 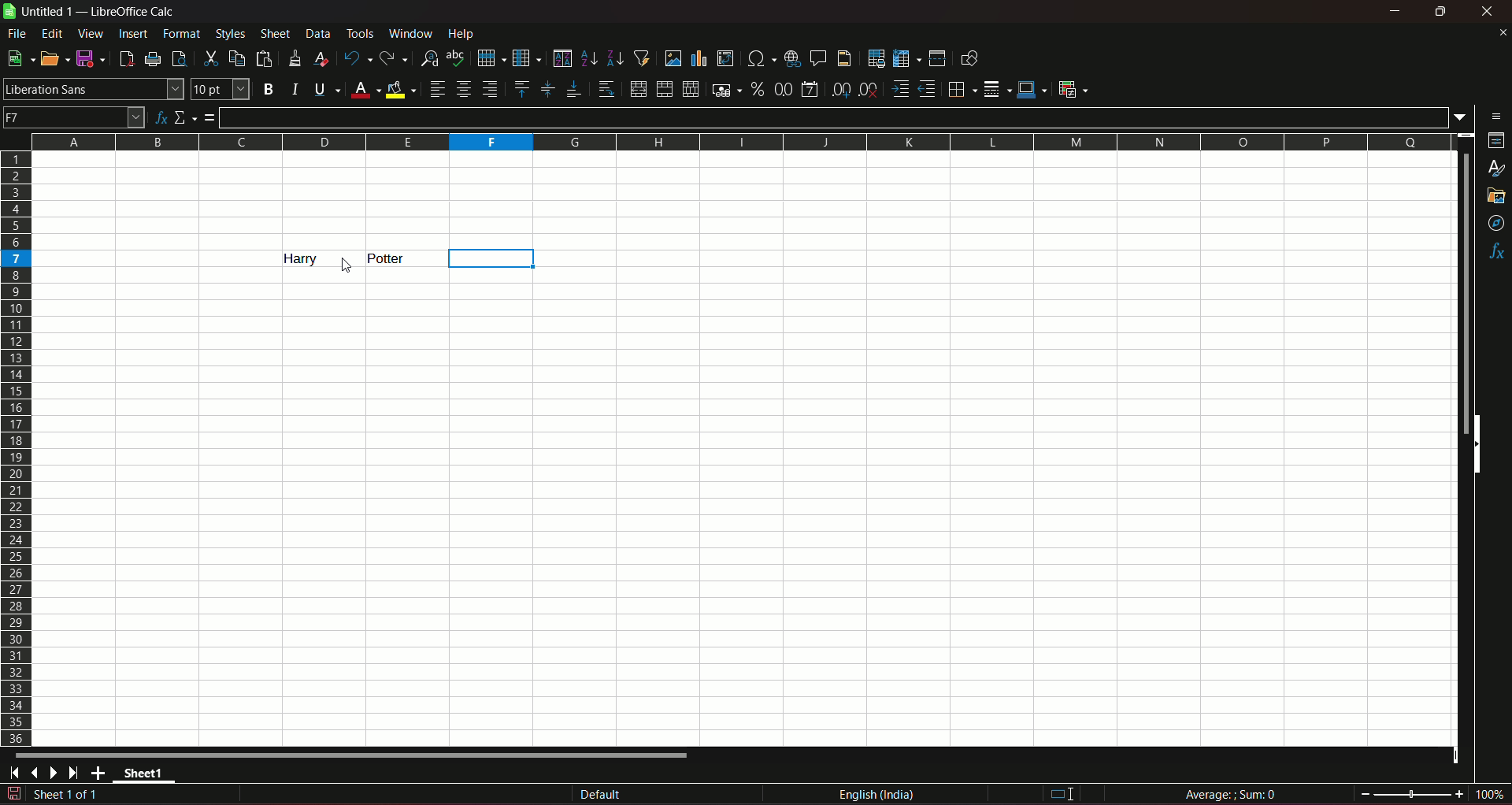 What do you see at coordinates (465, 33) in the screenshot?
I see `help` at bounding box center [465, 33].